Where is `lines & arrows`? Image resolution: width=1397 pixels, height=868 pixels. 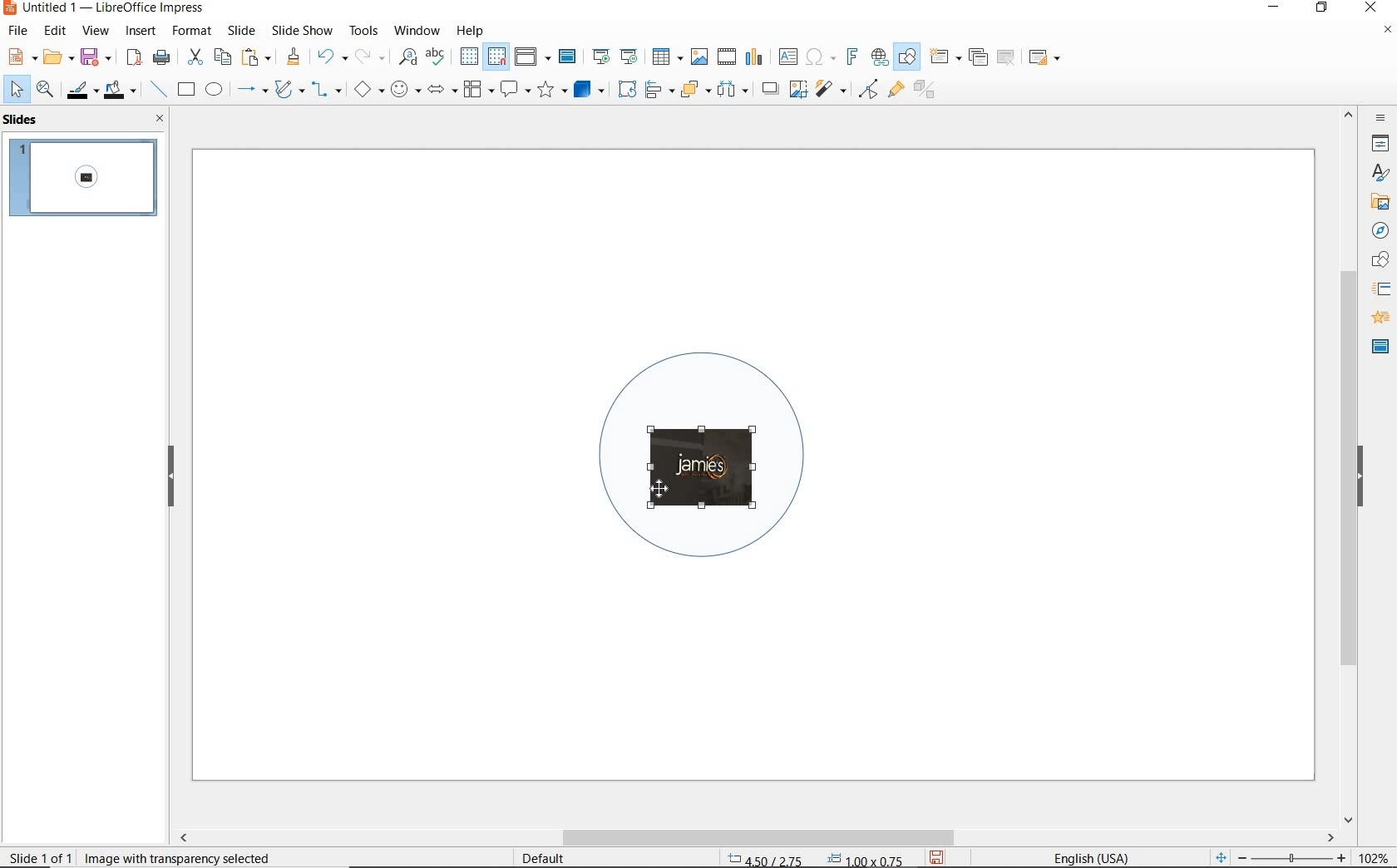
lines & arrows is located at coordinates (251, 91).